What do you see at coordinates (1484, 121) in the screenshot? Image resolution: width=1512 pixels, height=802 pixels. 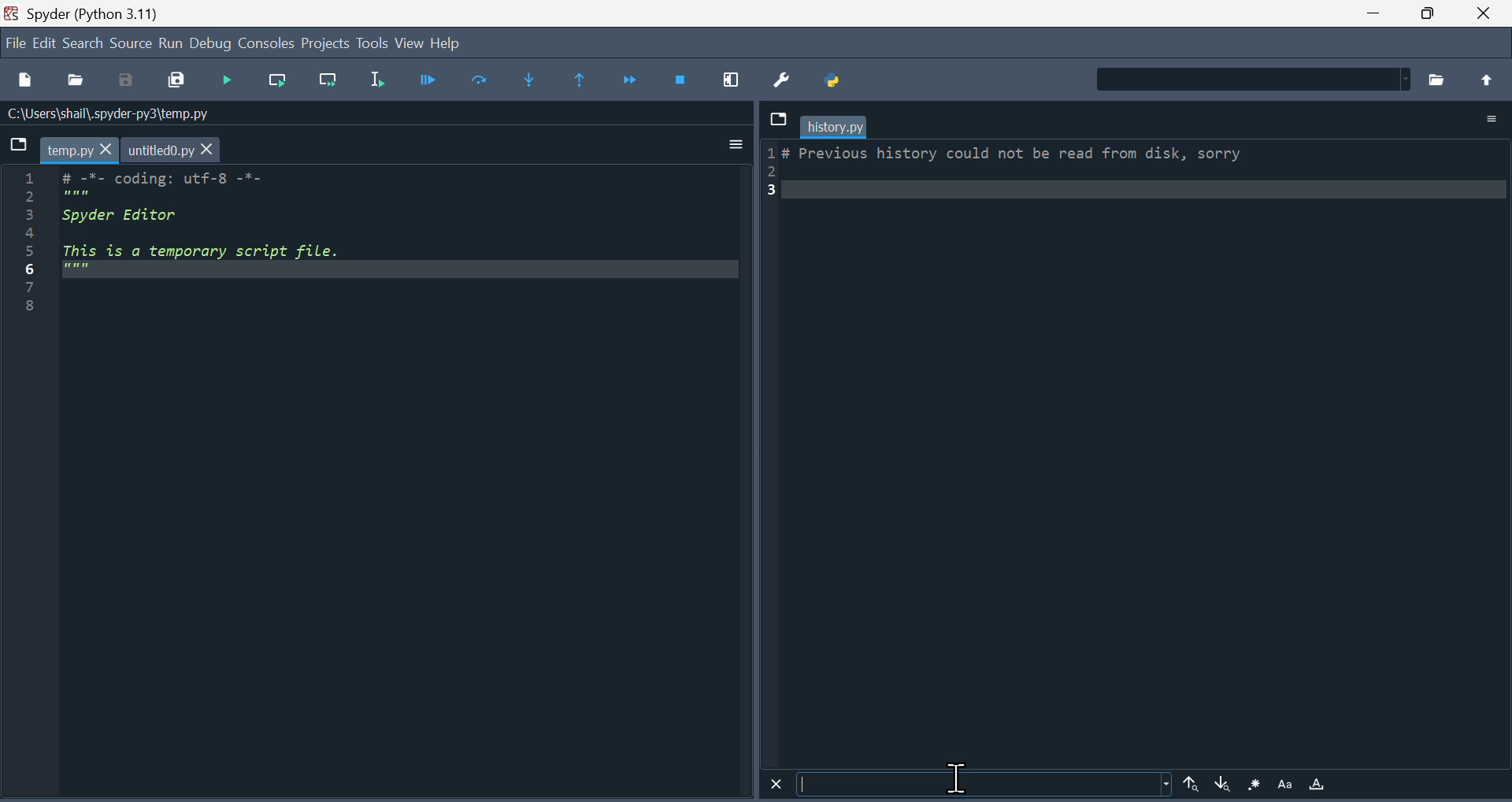 I see `Options` at bounding box center [1484, 121].